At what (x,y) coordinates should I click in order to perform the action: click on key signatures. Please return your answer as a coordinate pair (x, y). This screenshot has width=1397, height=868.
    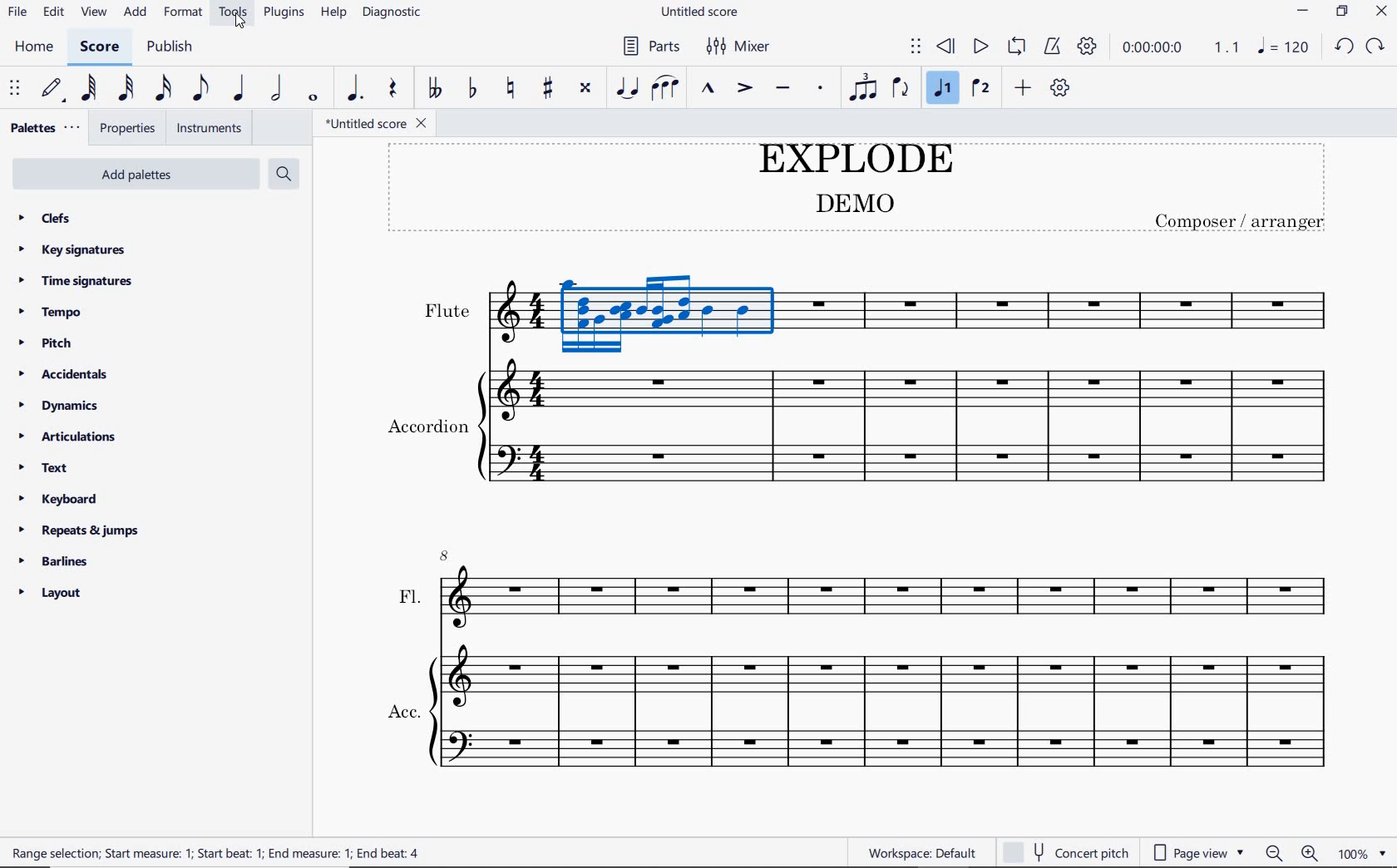
    Looking at the image, I should click on (72, 249).